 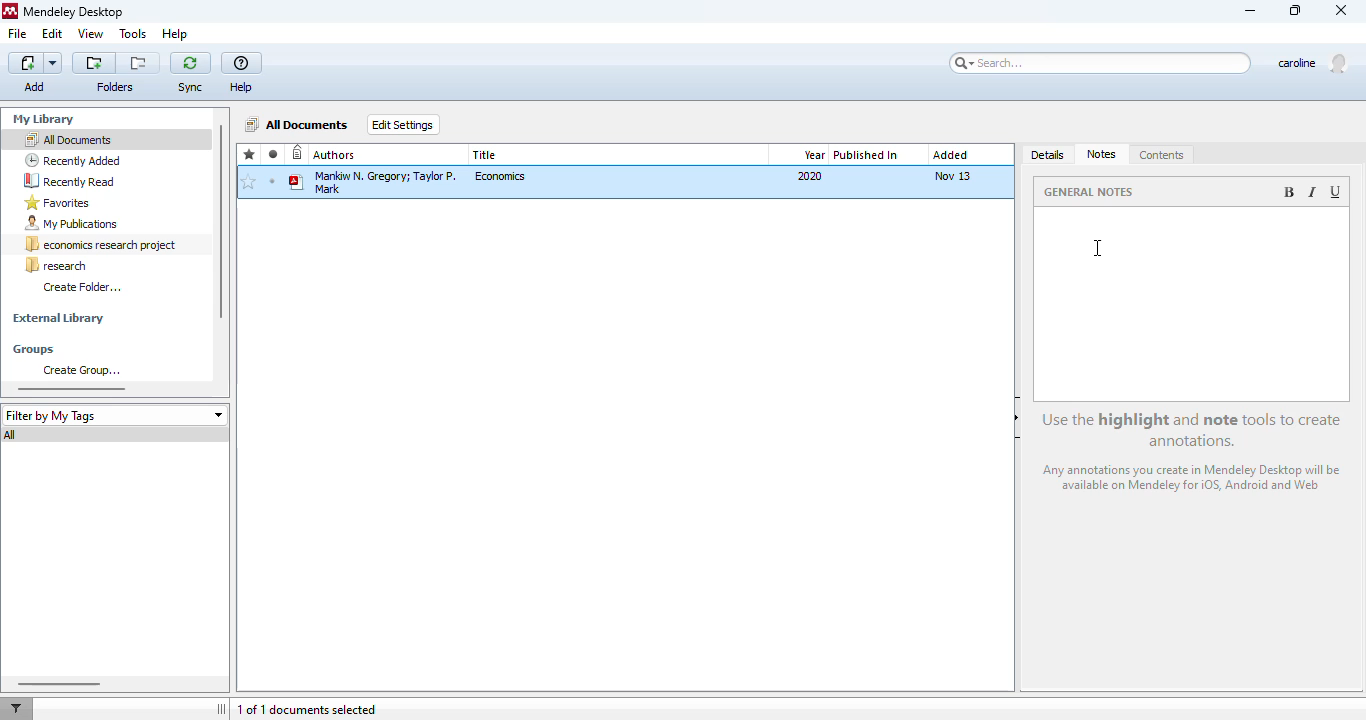 I want to click on file, so click(x=17, y=34).